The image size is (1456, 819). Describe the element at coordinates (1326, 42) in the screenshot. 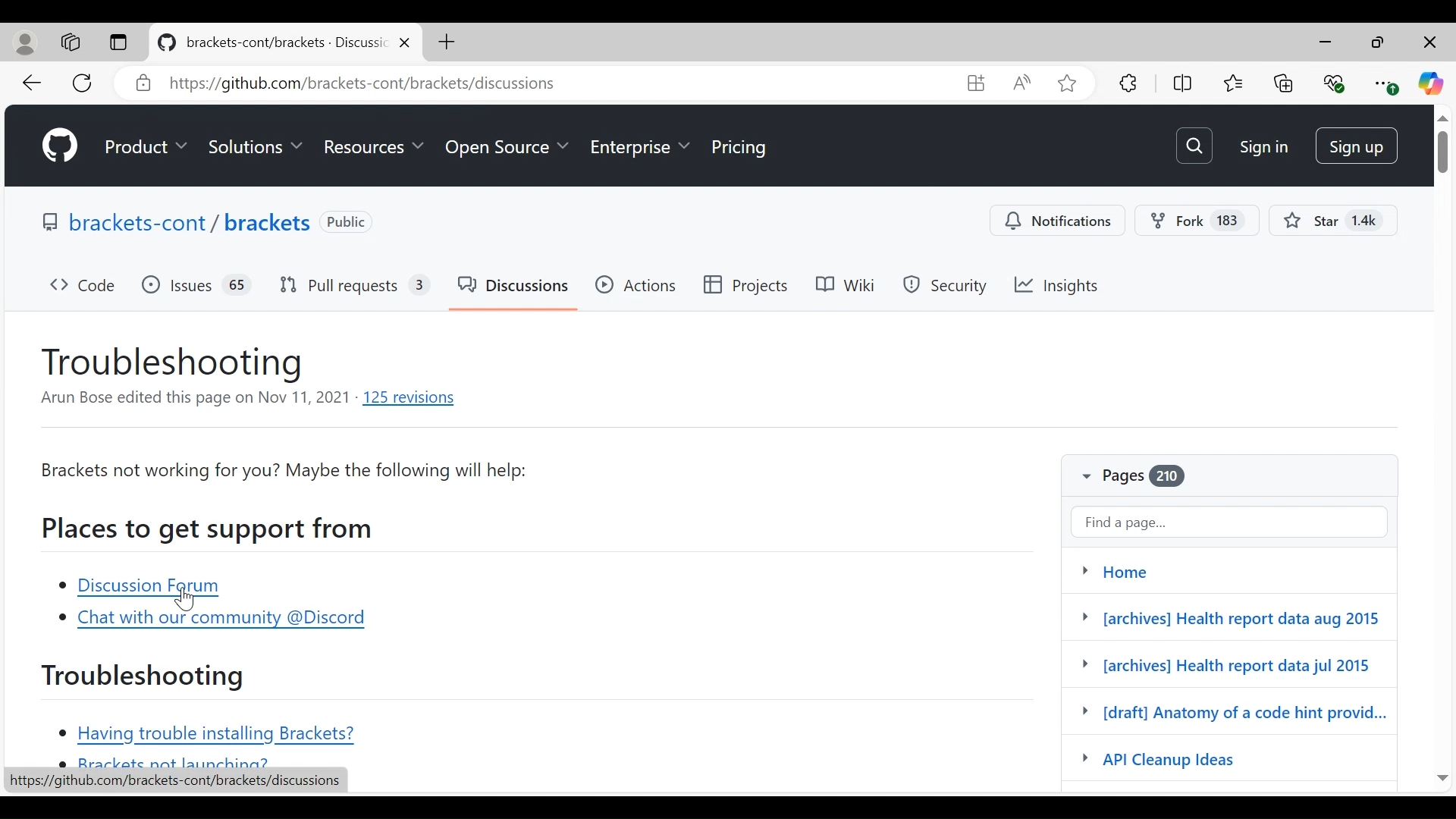

I see `minimize` at that location.